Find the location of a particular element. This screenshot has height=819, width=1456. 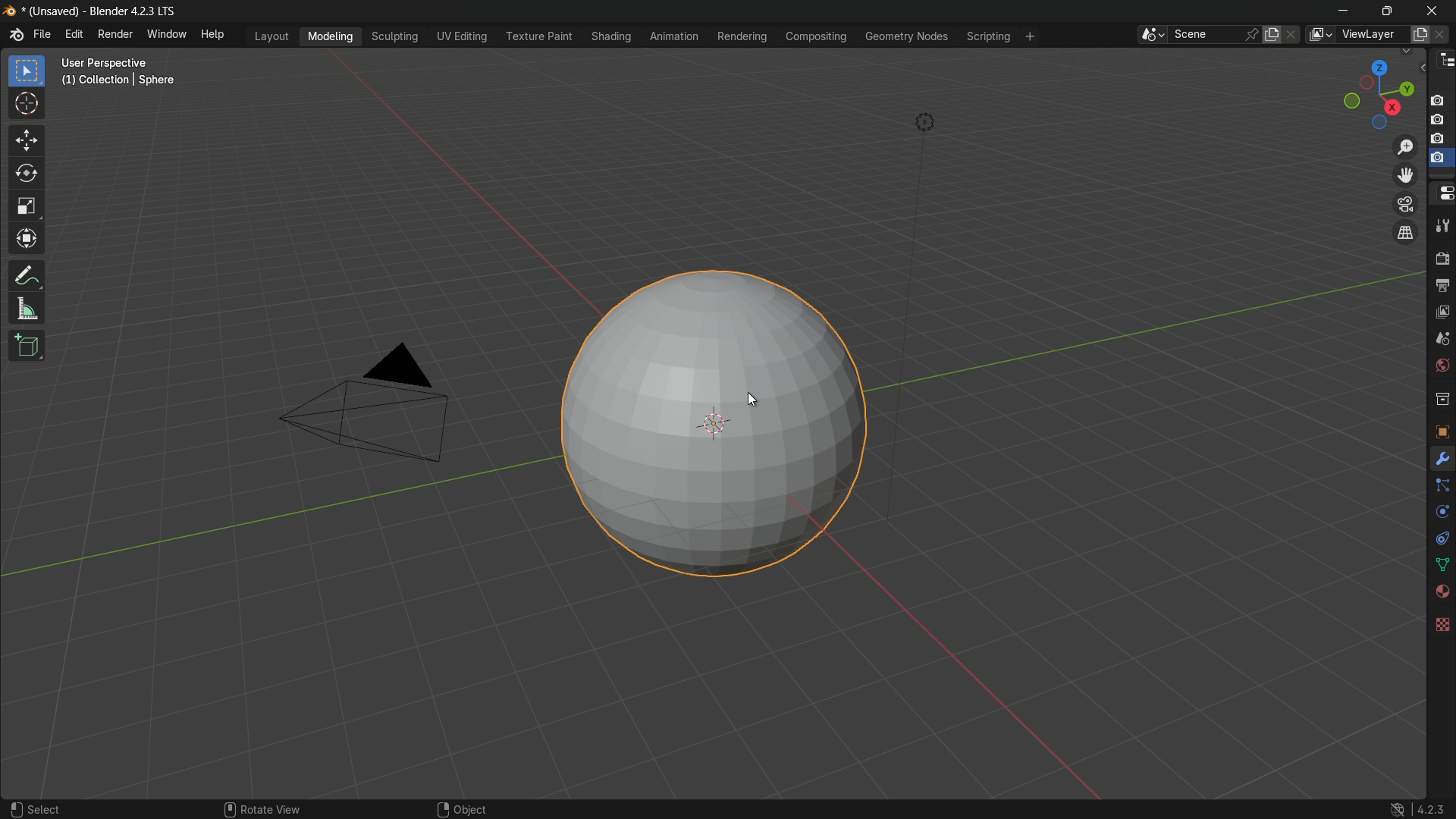

data is located at coordinates (1441, 563).